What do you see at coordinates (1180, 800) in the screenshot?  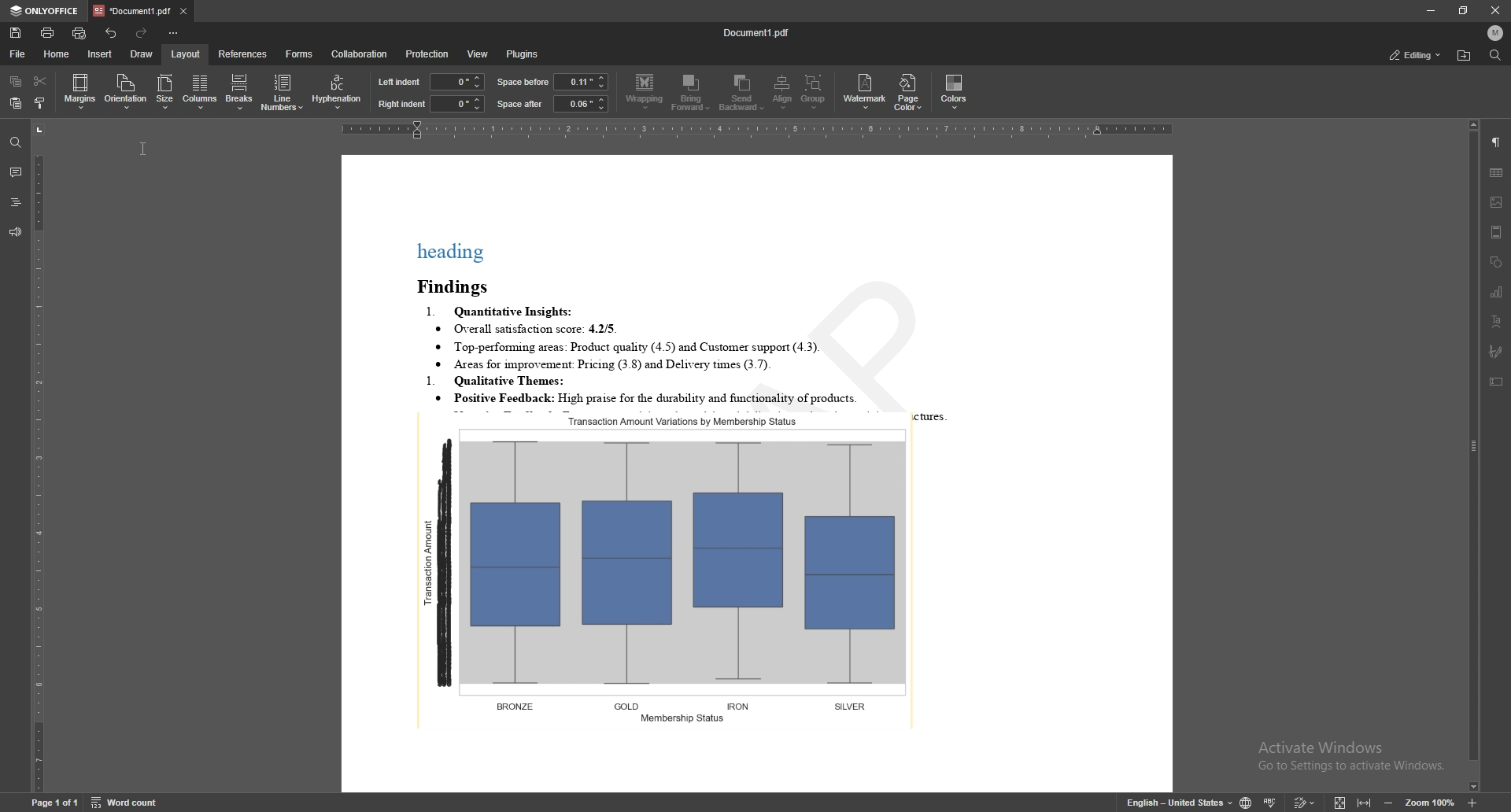 I see `change text language` at bounding box center [1180, 800].